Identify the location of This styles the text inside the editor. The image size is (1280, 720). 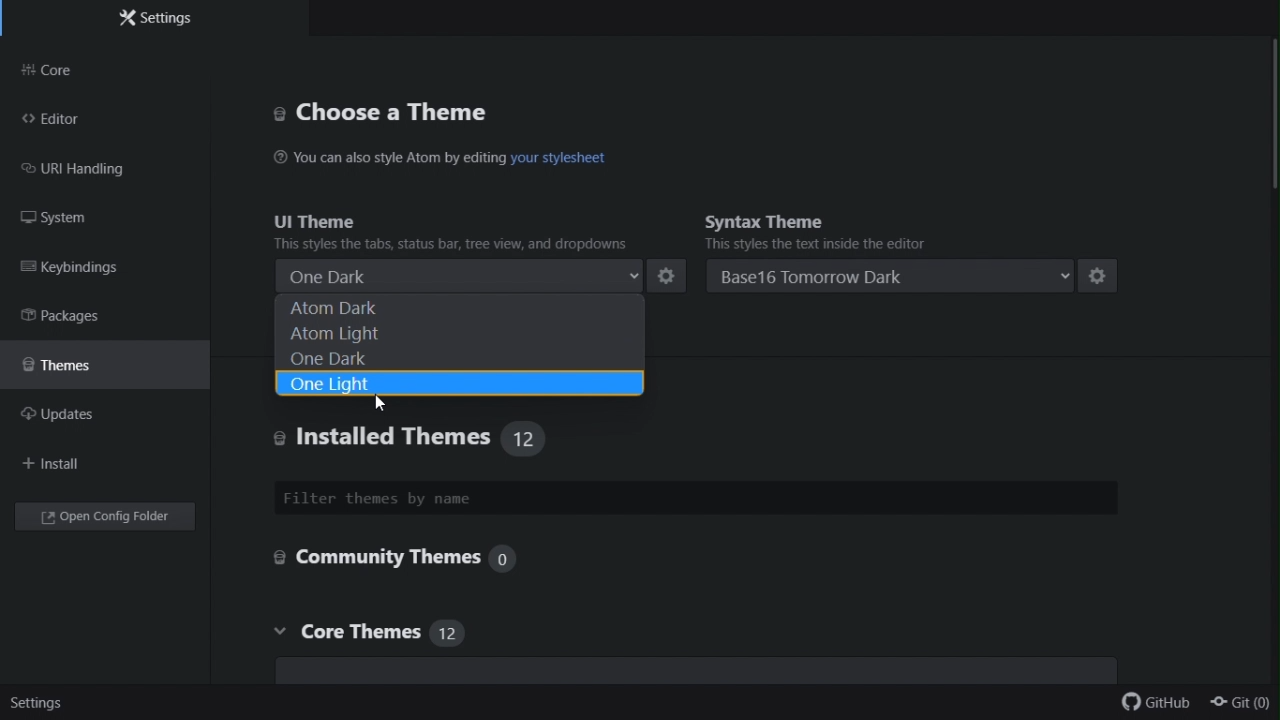
(815, 243).